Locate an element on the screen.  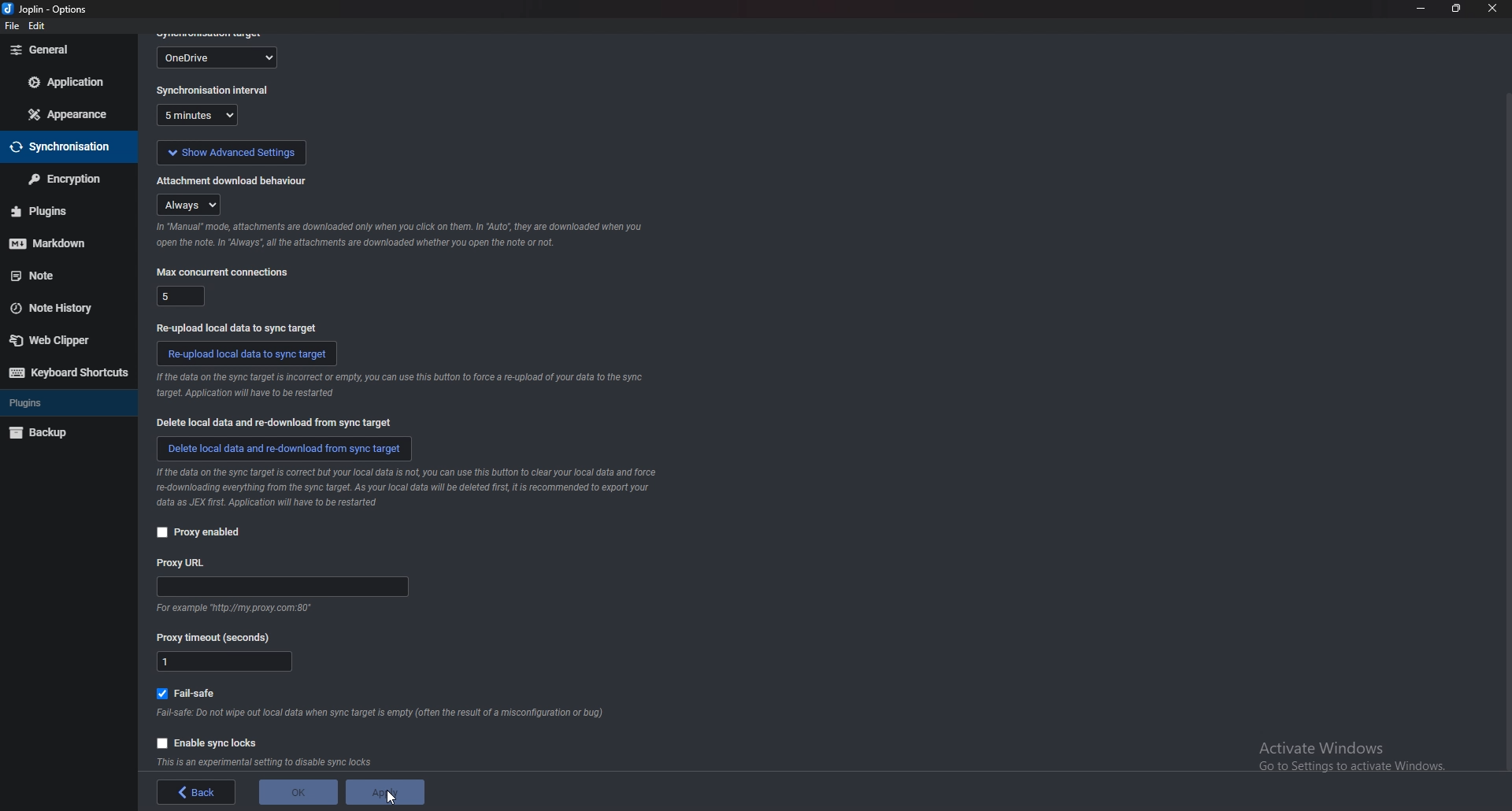
info is located at coordinates (383, 713).